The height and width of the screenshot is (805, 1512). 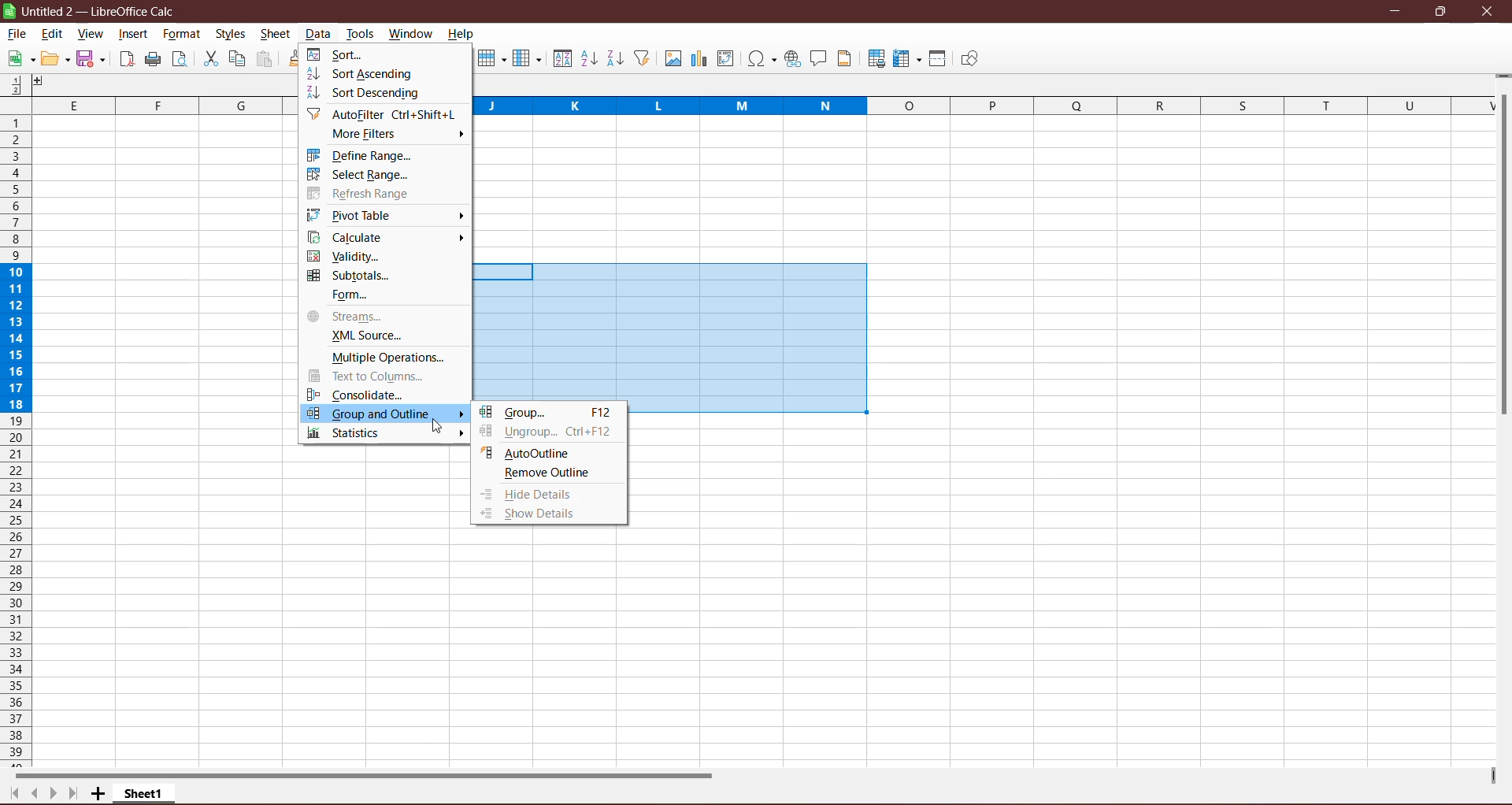 I want to click on AutoFilter, so click(x=643, y=58).